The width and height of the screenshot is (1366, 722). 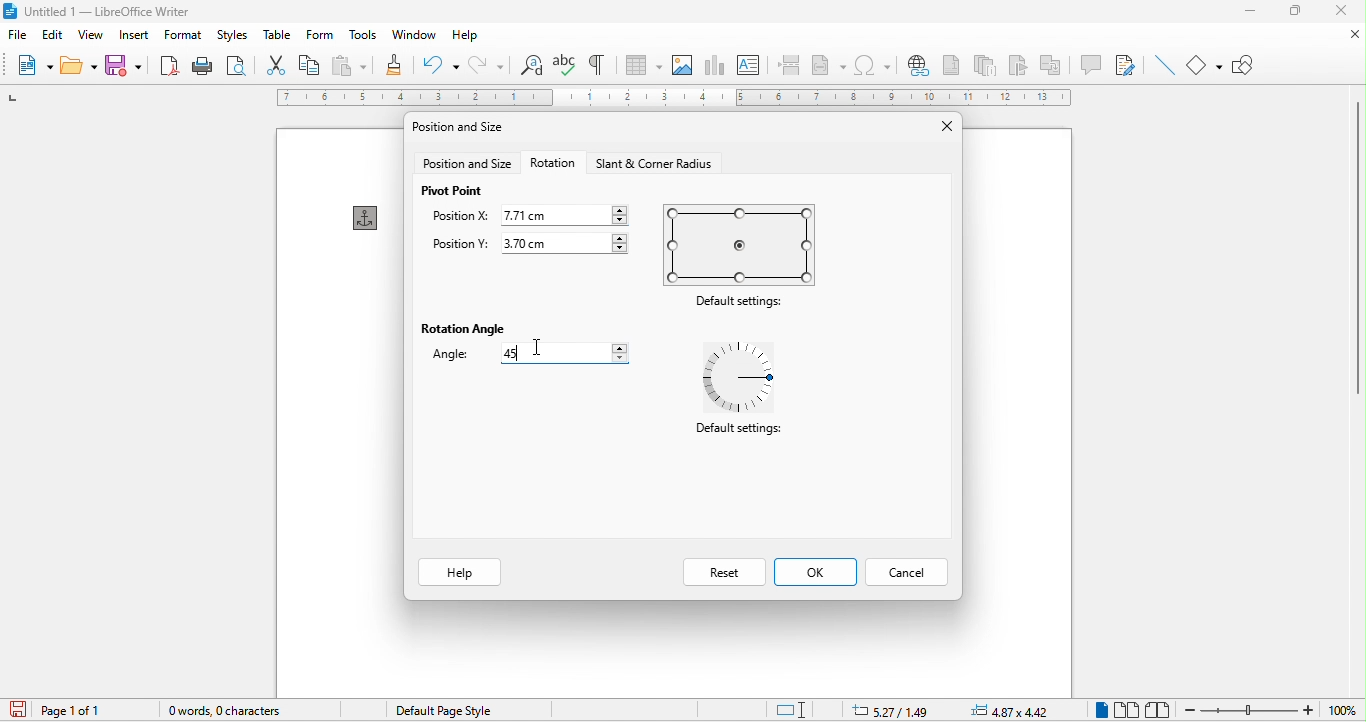 I want to click on position x, so click(x=454, y=218).